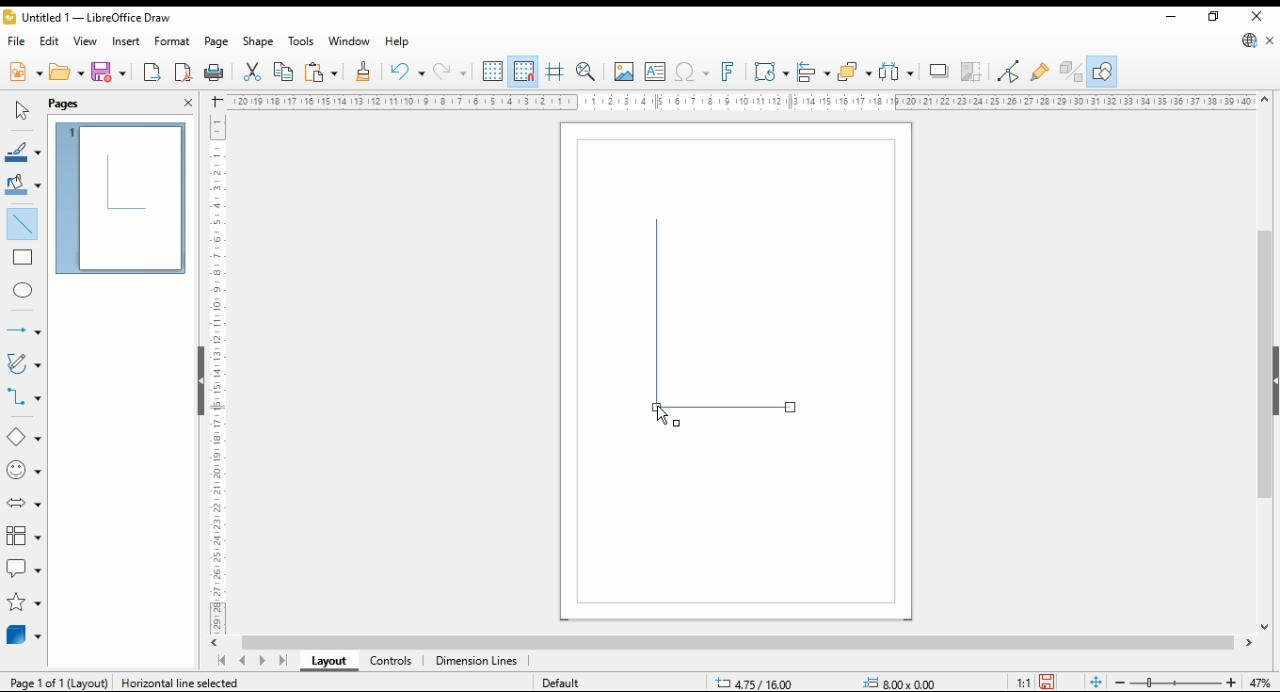  What do you see at coordinates (266, 661) in the screenshot?
I see `next page` at bounding box center [266, 661].